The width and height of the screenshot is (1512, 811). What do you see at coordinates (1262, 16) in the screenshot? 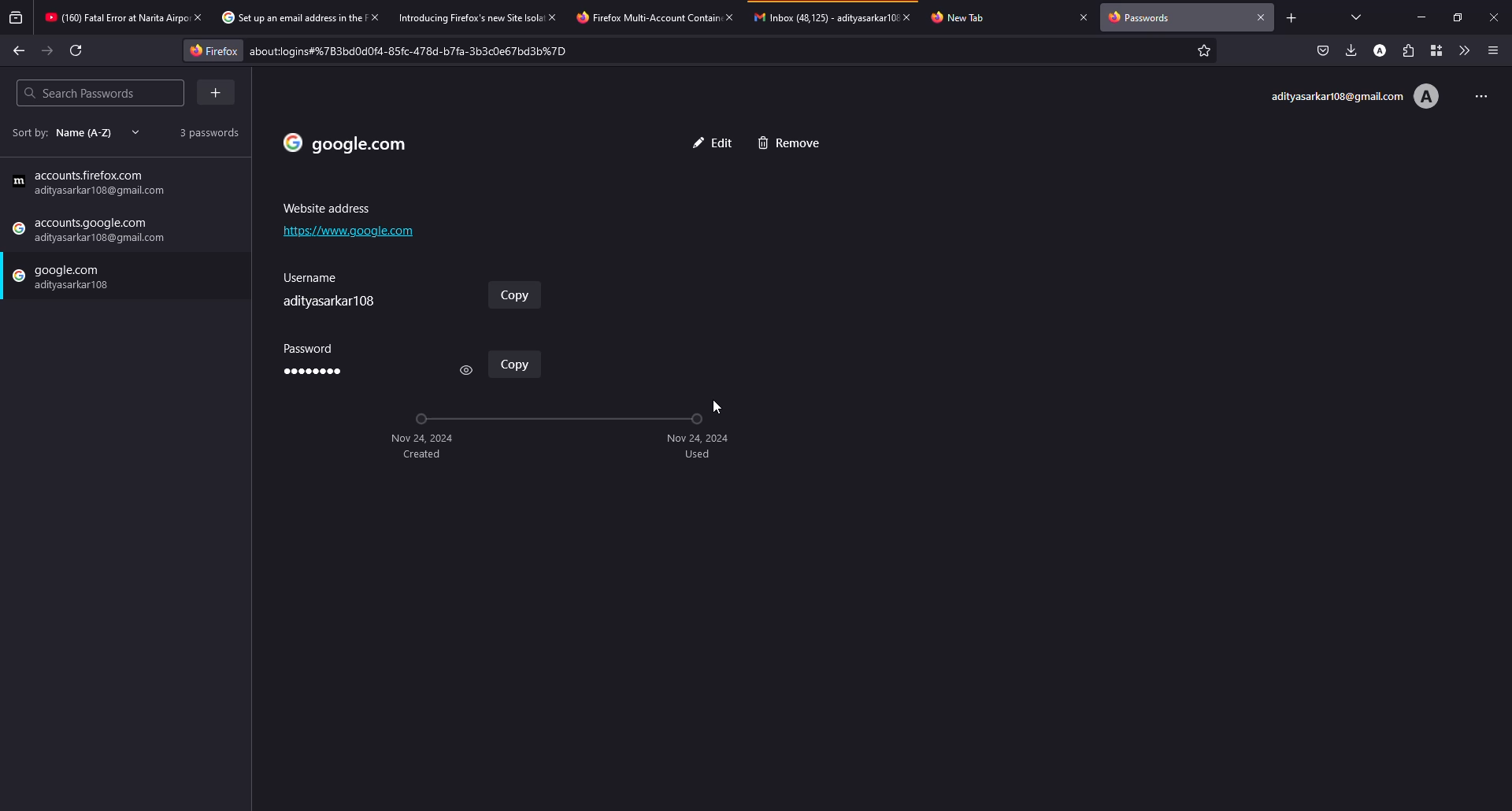
I see `close` at bounding box center [1262, 16].